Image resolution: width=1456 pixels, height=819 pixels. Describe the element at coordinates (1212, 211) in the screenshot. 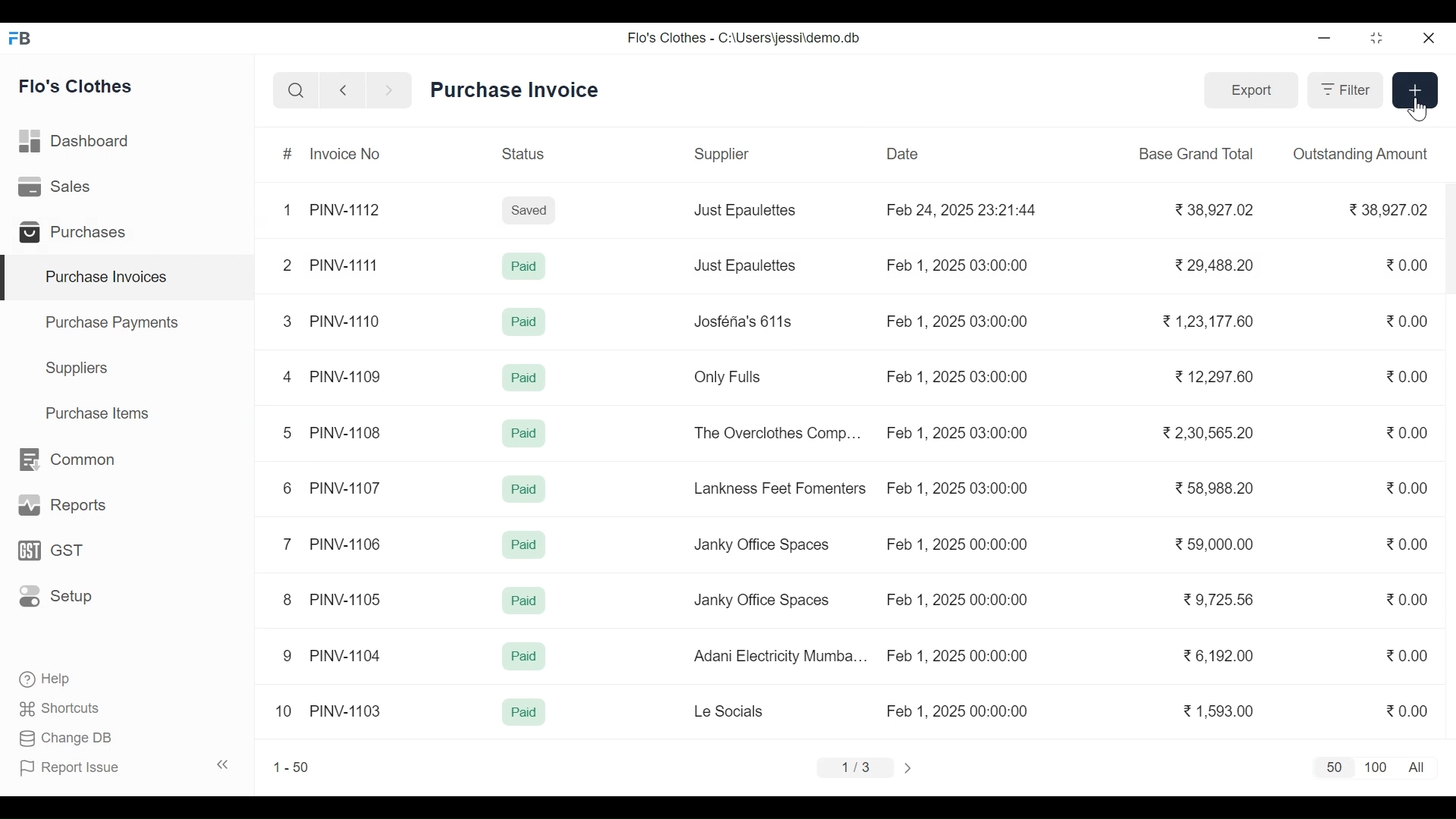

I see `38,927.02` at that location.